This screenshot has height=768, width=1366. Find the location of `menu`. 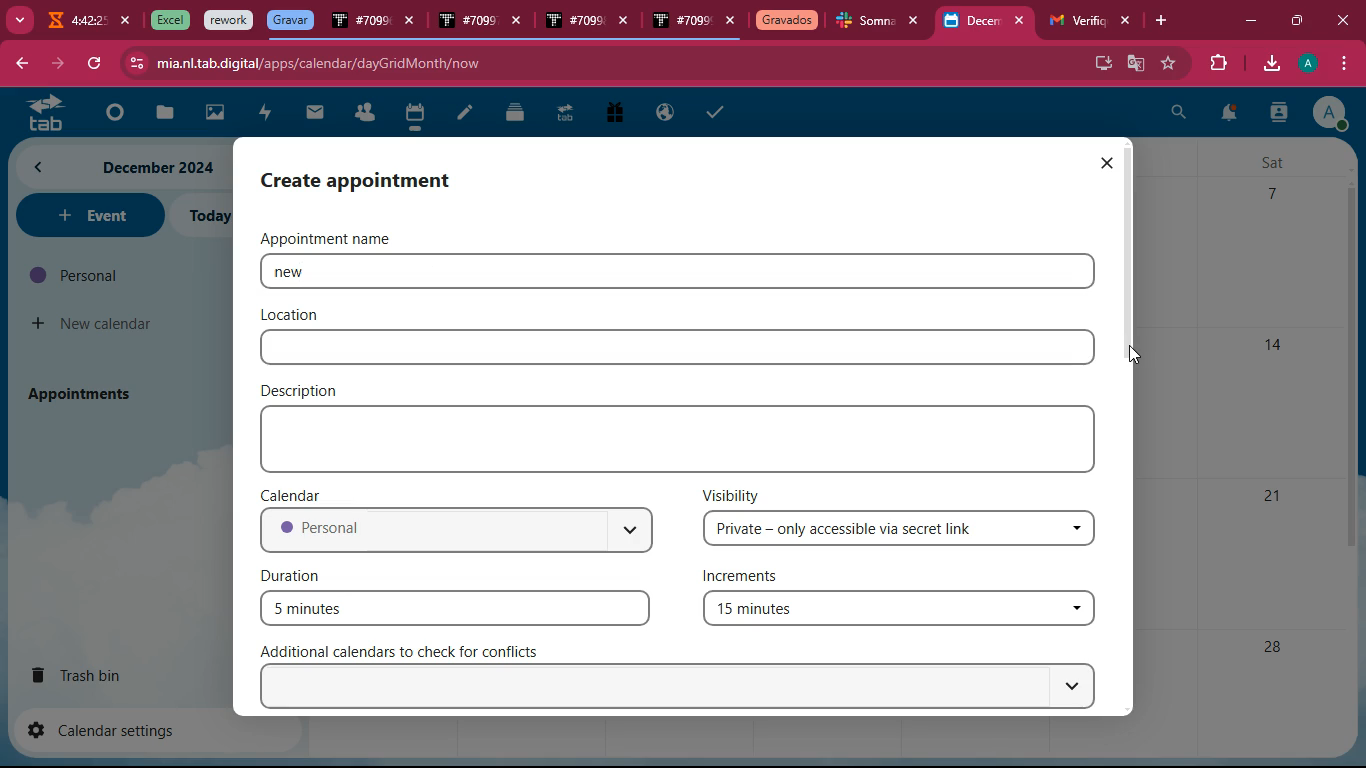

menu is located at coordinates (1341, 64).